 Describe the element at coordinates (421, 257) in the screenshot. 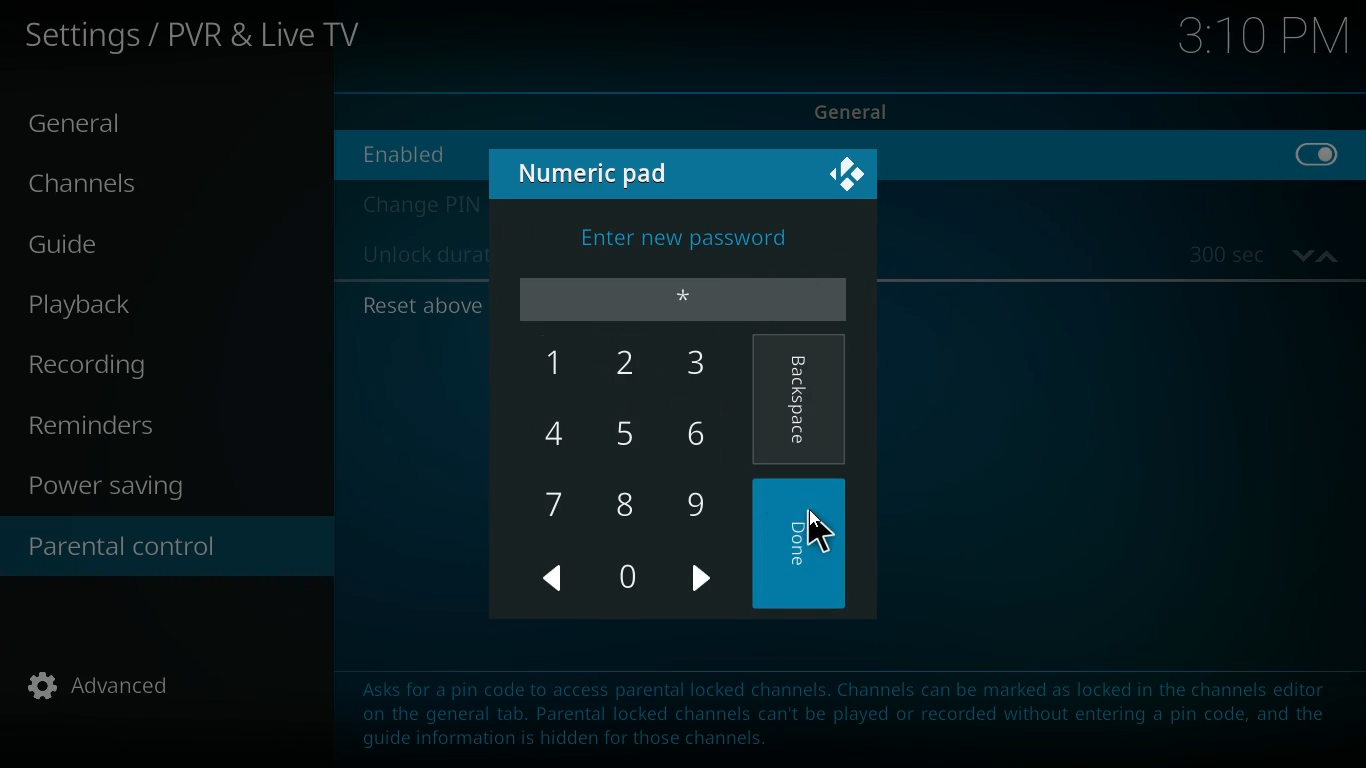

I see `unlock duration` at that location.